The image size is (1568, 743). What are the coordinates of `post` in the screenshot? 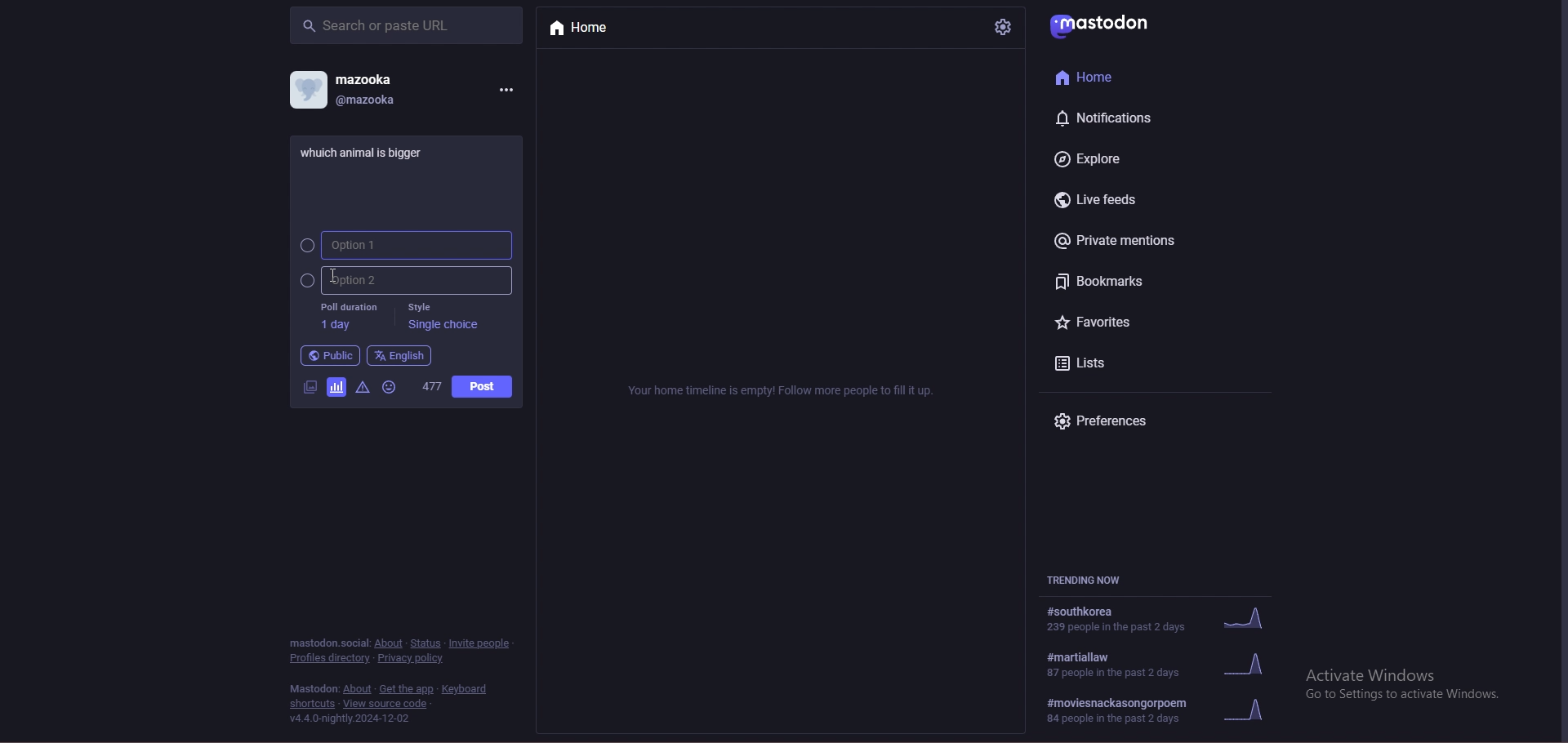 It's located at (483, 386).